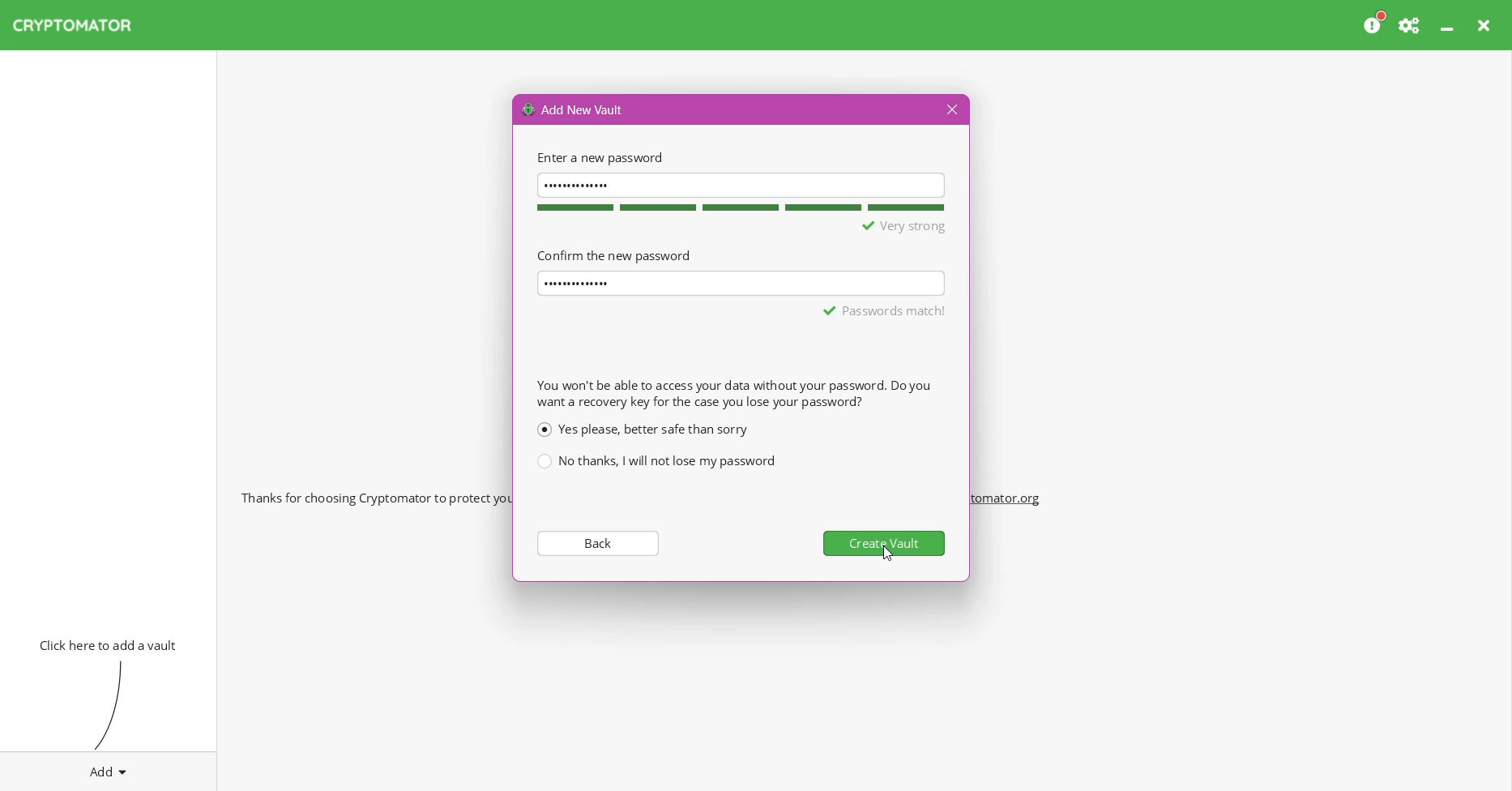 The width and height of the screenshot is (1512, 791). I want to click on Add New Vault, so click(574, 109).